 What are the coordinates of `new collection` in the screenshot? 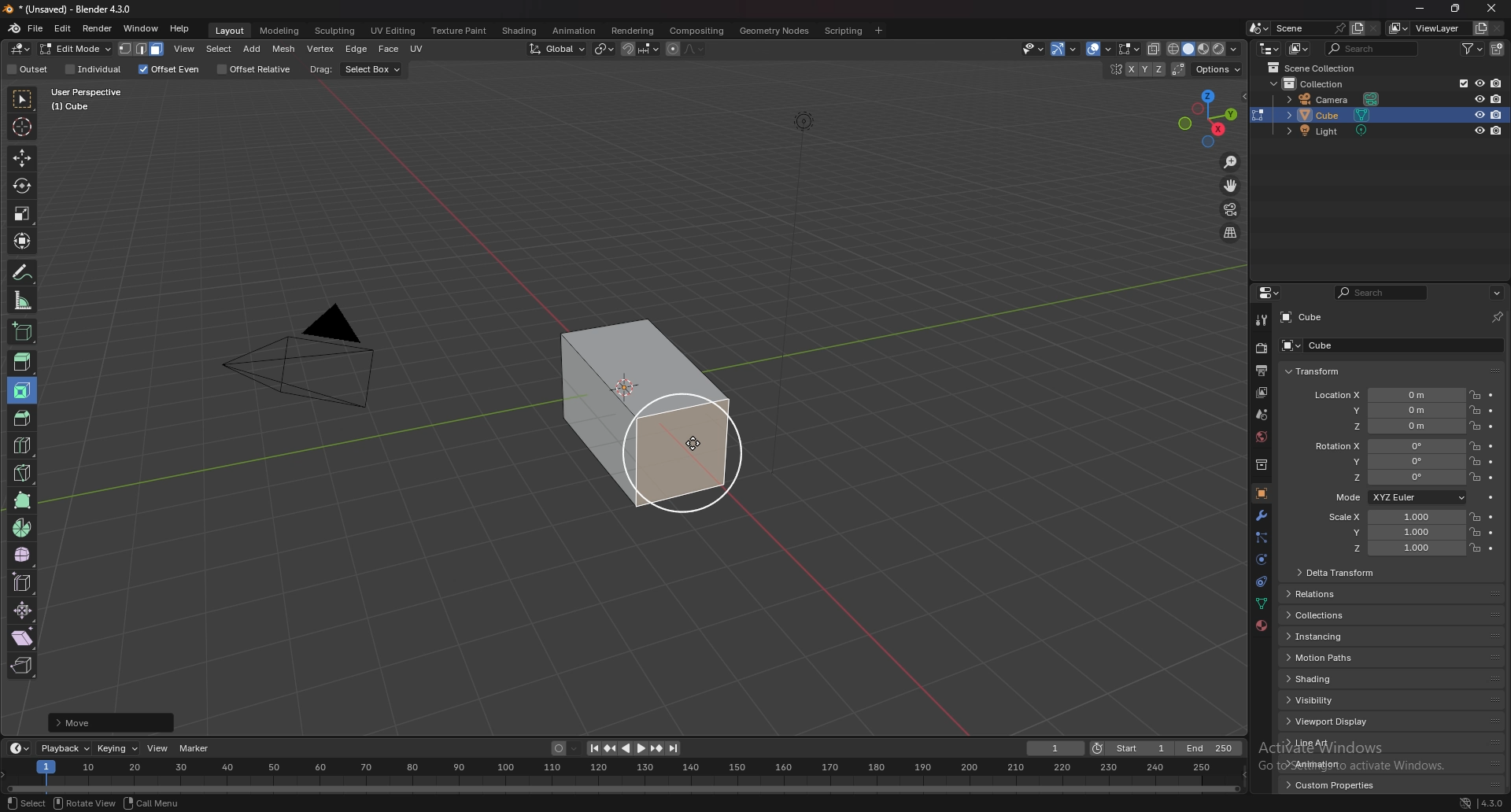 It's located at (1498, 50).